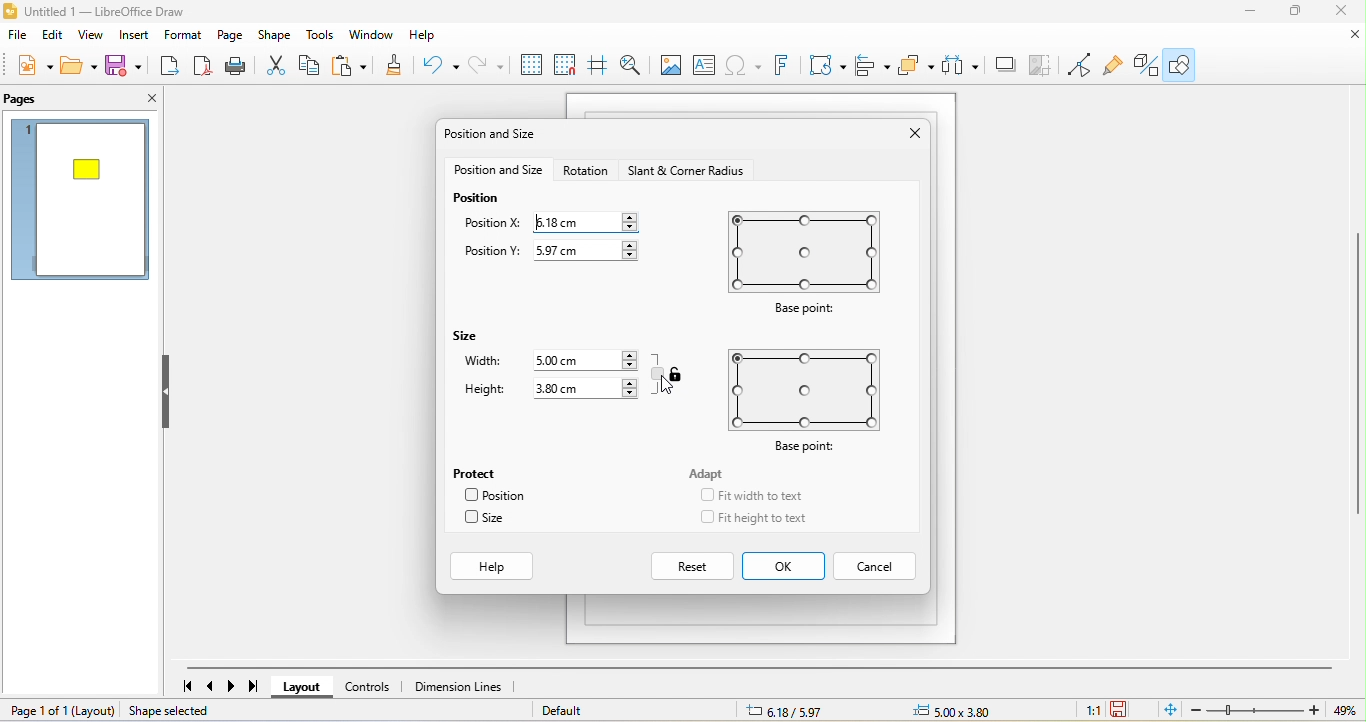 Image resolution: width=1366 pixels, height=722 pixels. What do you see at coordinates (678, 376) in the screenshot?
I see `aspect ratio unlocked` at bounding box center [678, 376].